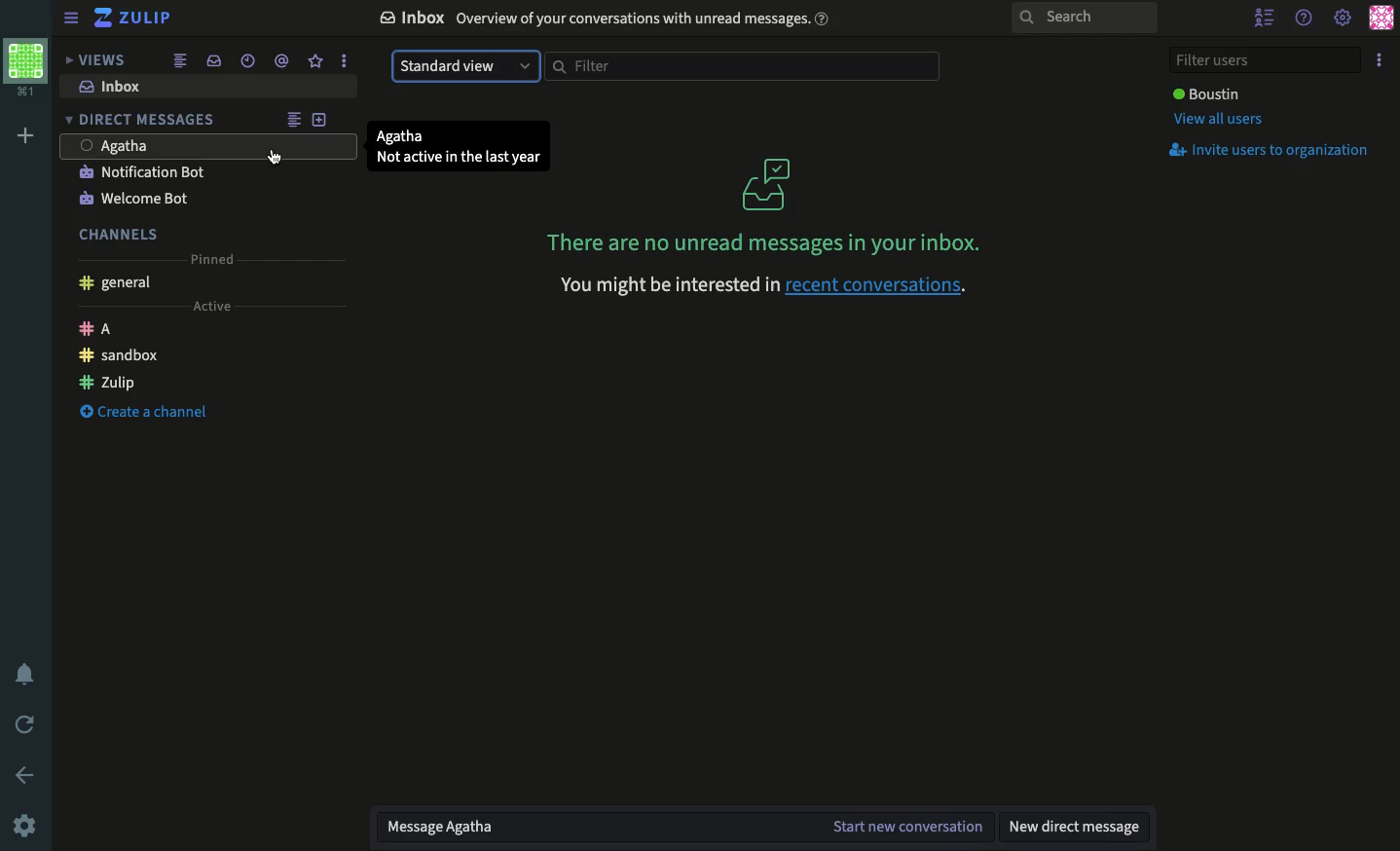 This screenshot has width=1400, height=851. Describe the element at coordinates (95, 59) in the screenshot. I see `Views` at that location.